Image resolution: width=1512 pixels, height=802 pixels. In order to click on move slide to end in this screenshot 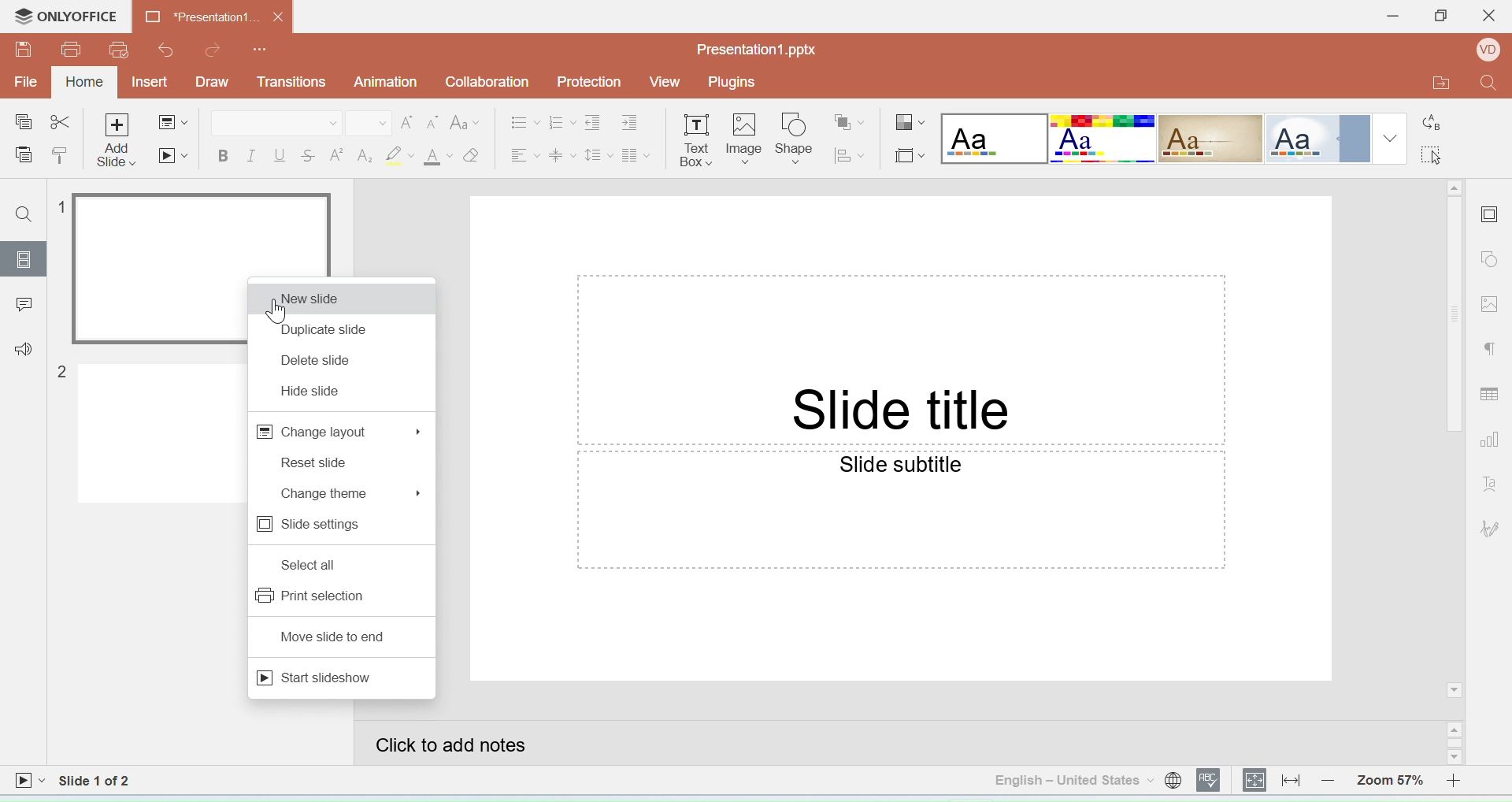, I will do `click(336, 637)`.